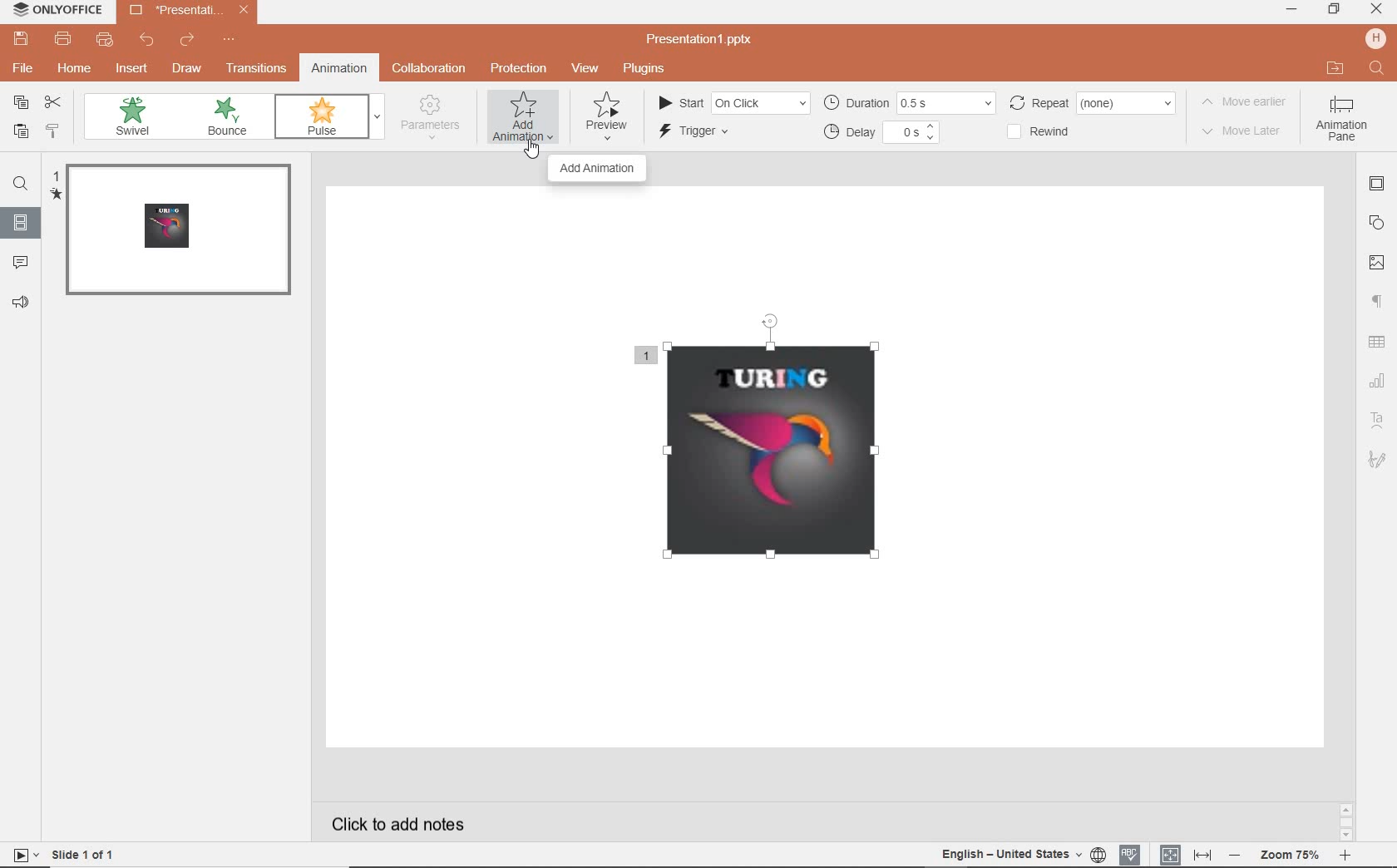 The height and width of the screenshot is (868, 1397). Describe the element at coordinates (1377, 223) in the screenshot. I see `shape` at that location.